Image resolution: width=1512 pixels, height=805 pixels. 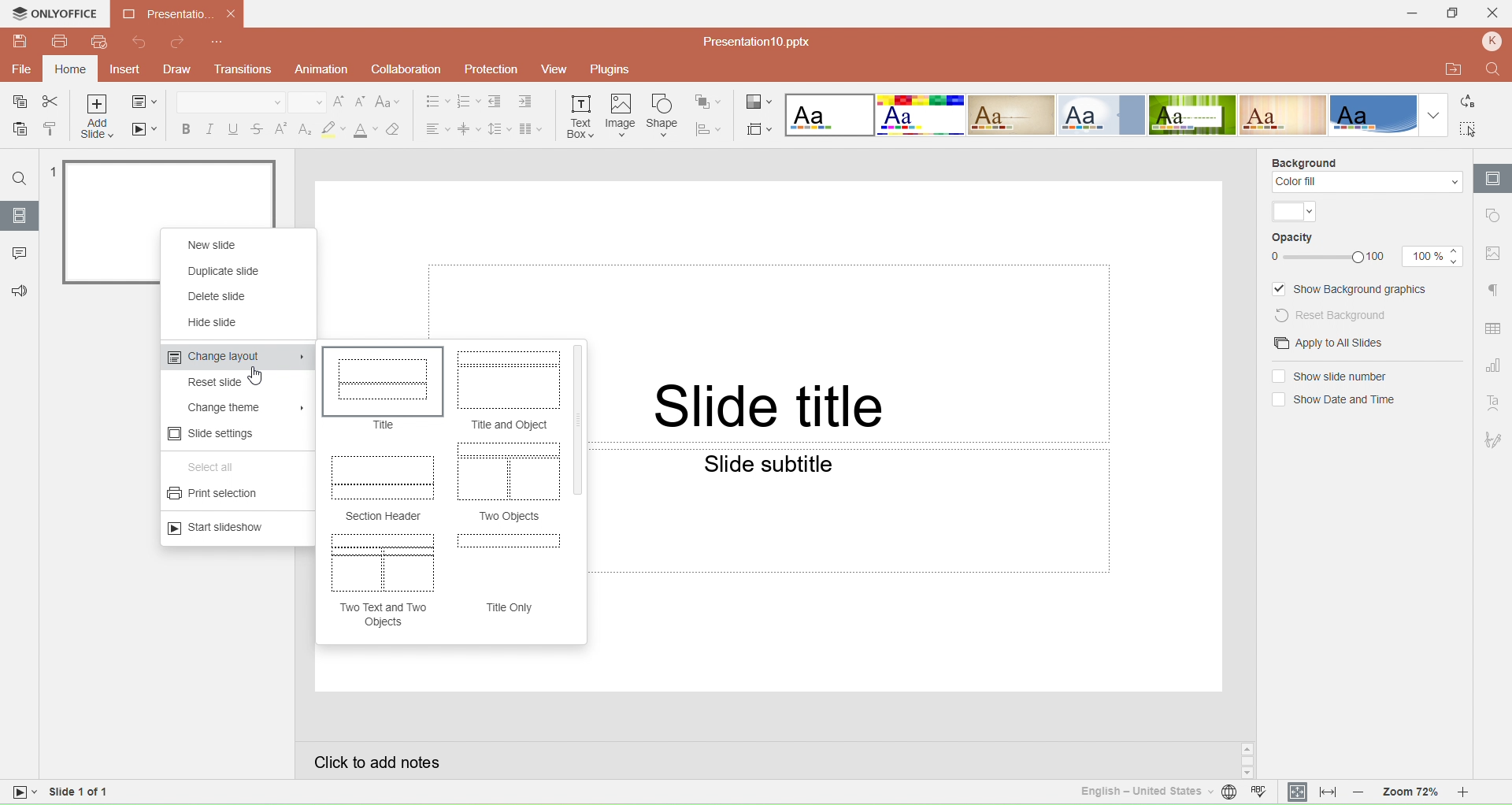 I want to click on Title and Object, so click(x=507, y=425).